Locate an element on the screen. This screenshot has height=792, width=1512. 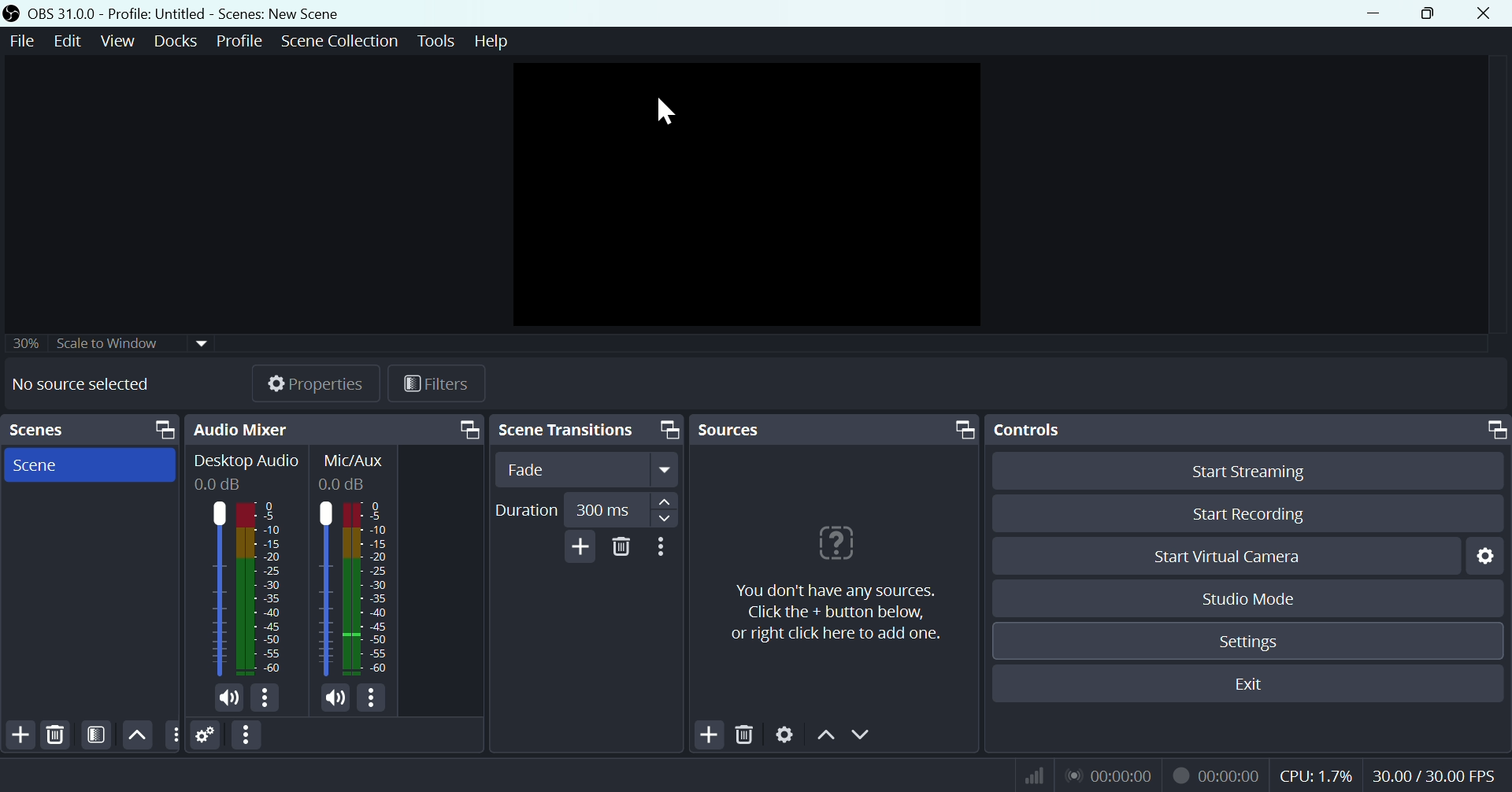
 is located at coordinates (1109, 775).